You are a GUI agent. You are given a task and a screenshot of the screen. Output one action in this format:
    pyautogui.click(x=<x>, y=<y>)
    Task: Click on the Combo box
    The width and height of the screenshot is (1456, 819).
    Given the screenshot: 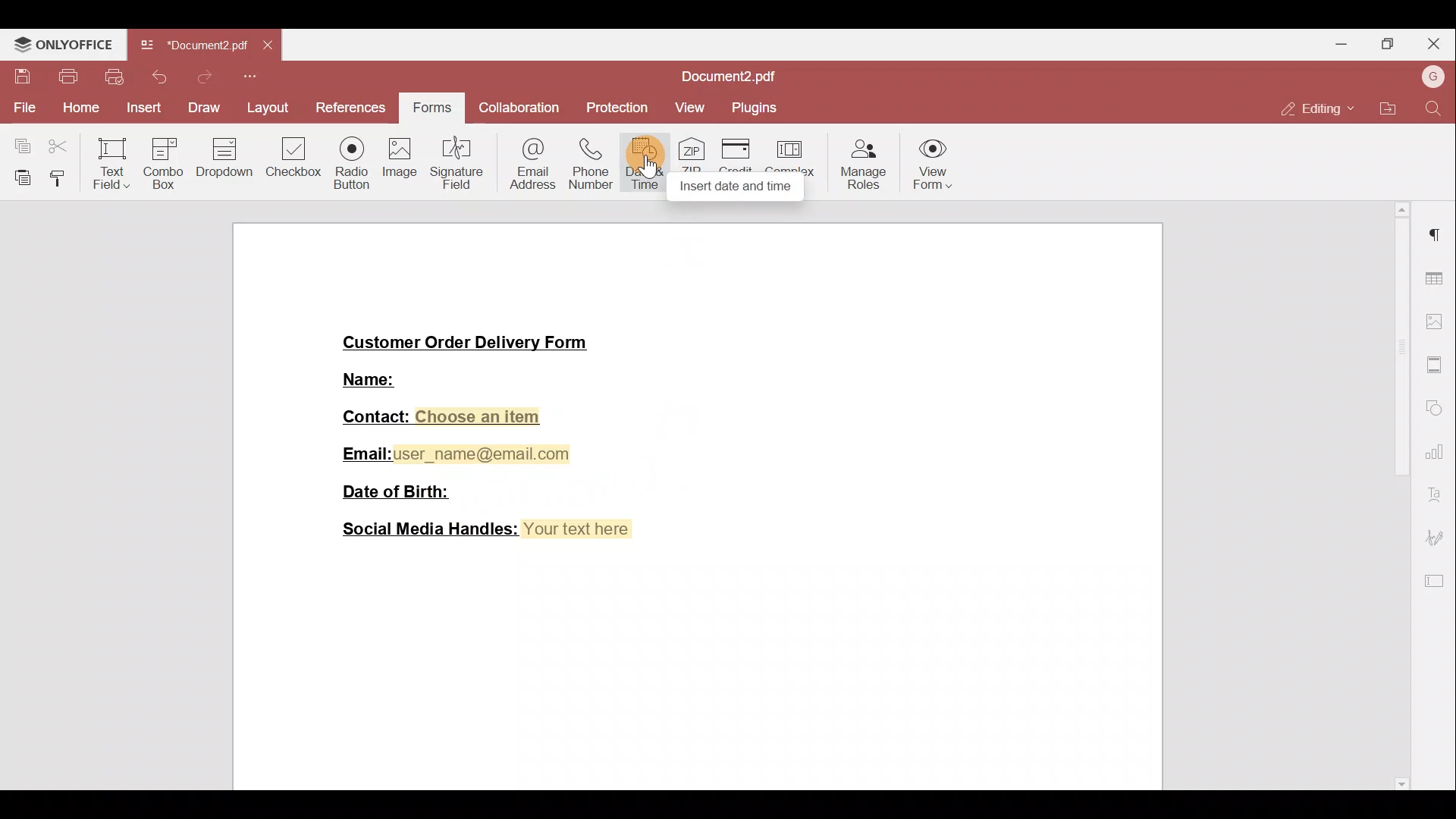 What is the action you would take?
    pyautogui.click(x=162, y=161)
    